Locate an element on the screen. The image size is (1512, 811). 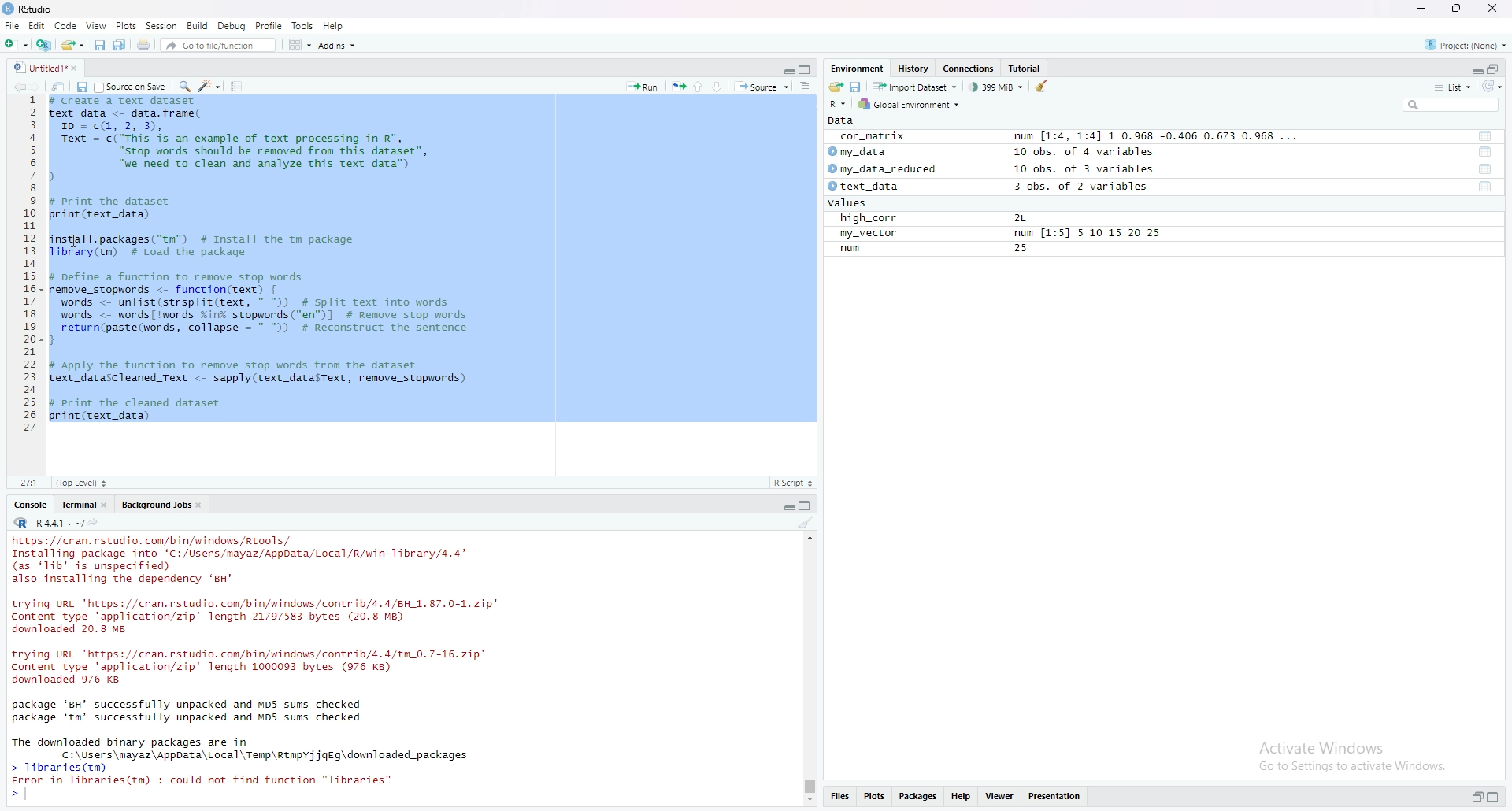
open an existing file is located at coordinates (73, 46).